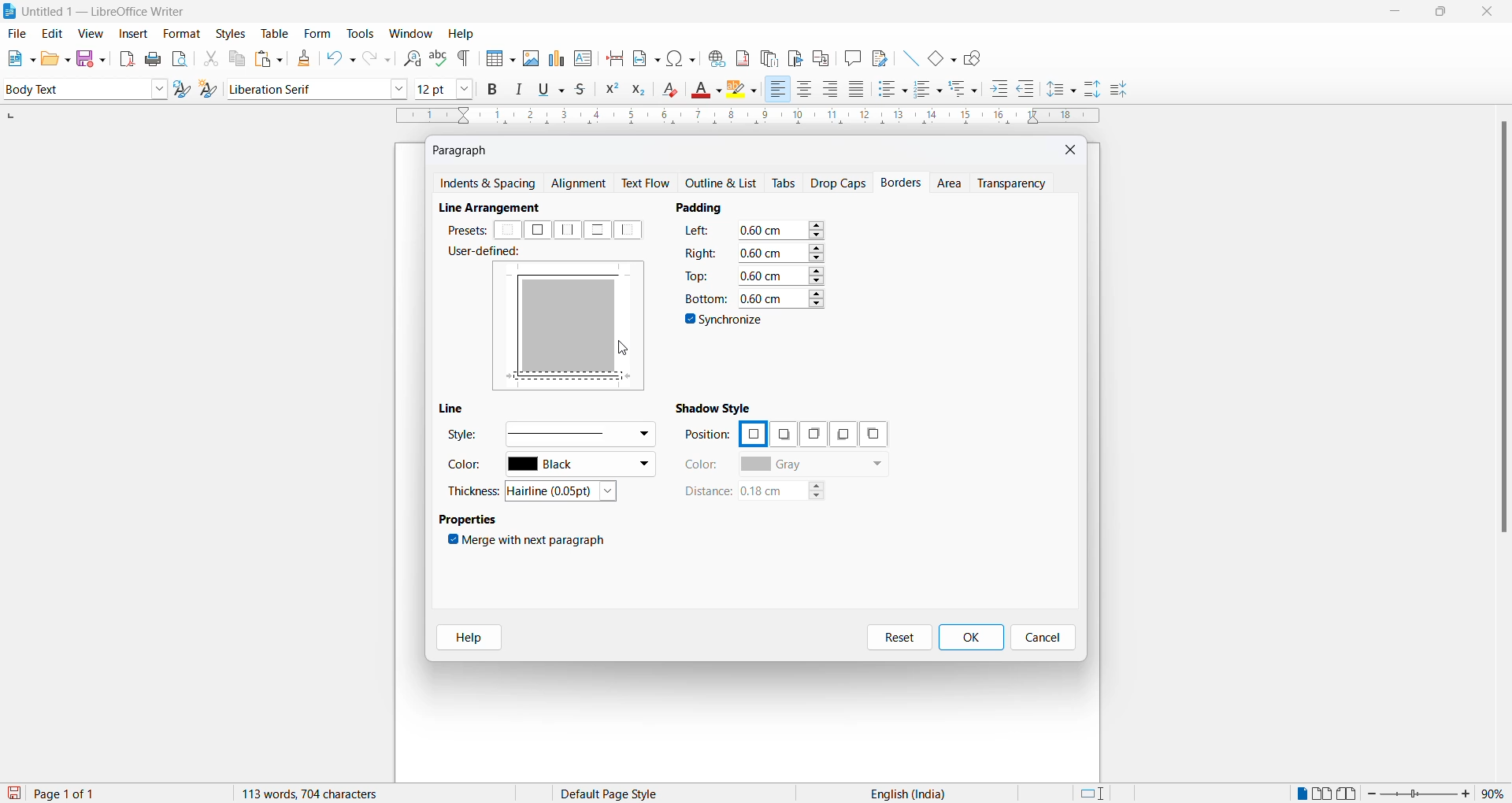 This screenshot has height=803, width=1512. I want to click on insert, so click(132, 35).